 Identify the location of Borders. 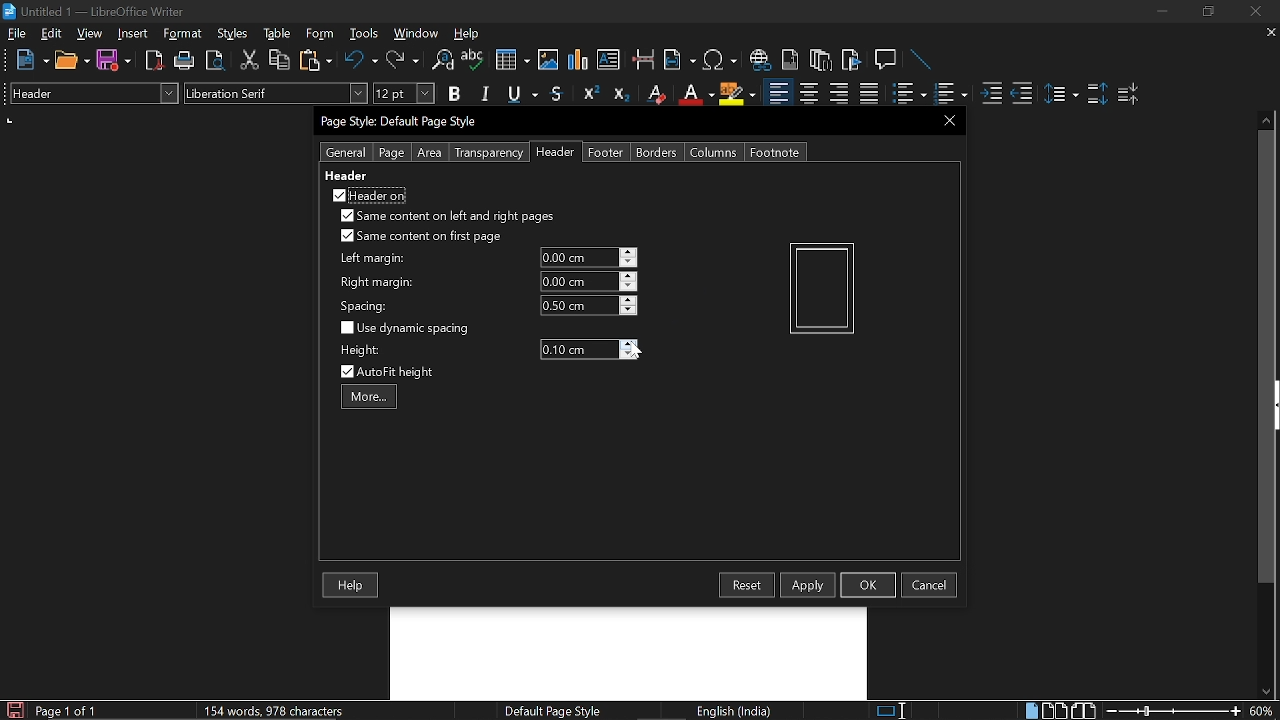
(658, 152).